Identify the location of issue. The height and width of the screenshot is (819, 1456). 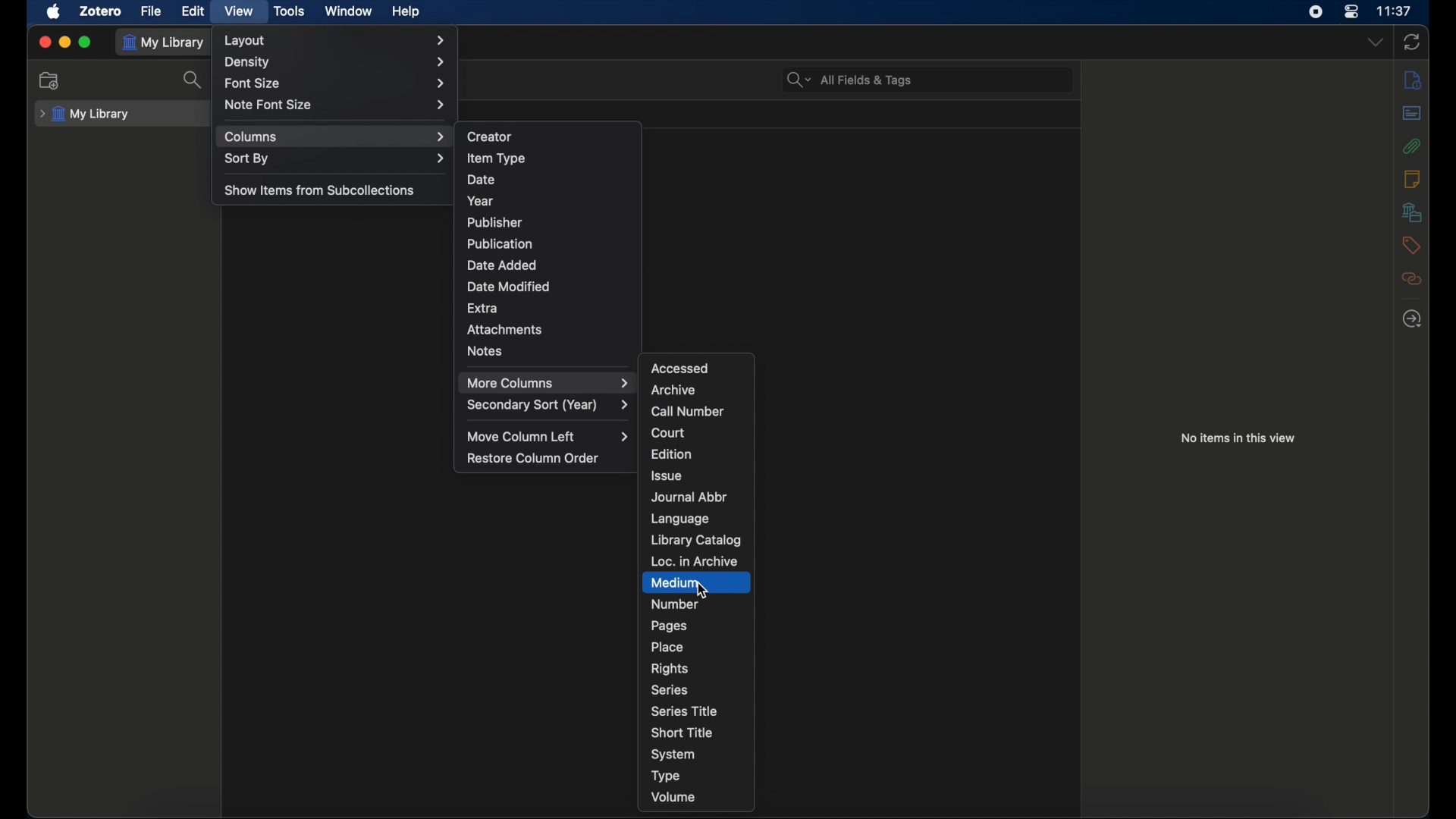
(666, 475).